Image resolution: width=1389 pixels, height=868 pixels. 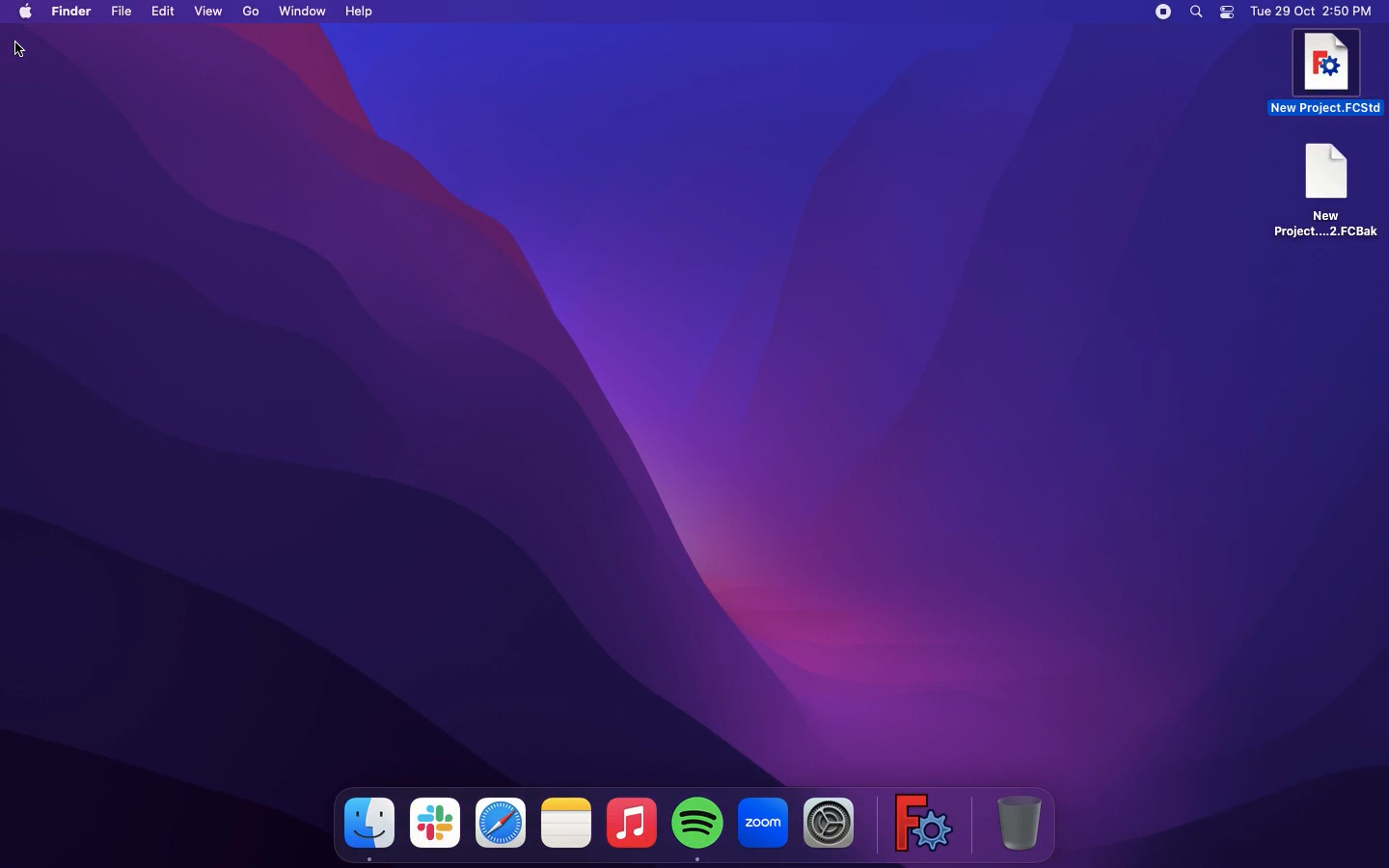 I want to click on Music, so click(x=630, y=820).